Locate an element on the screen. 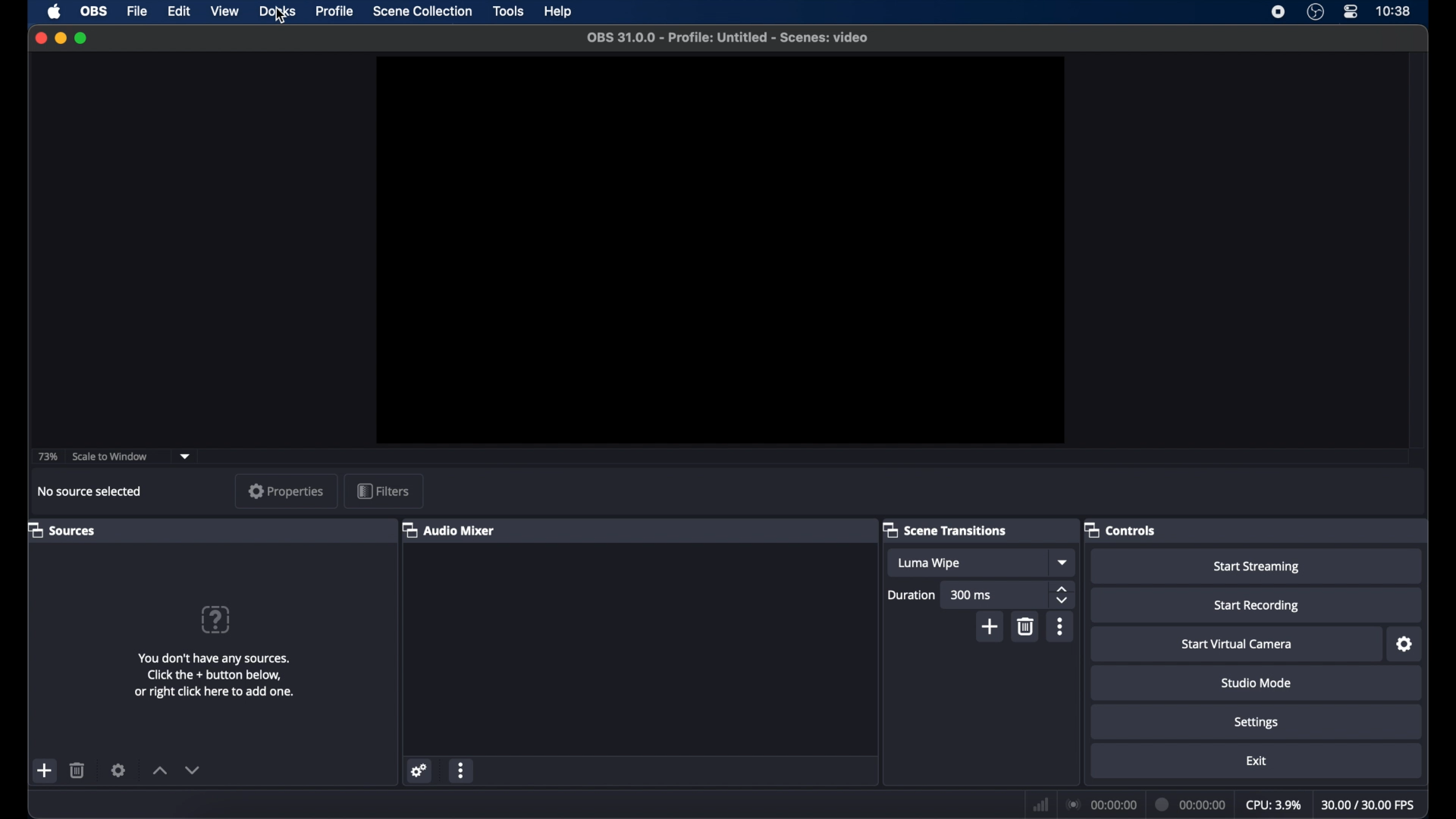 The height and width of the screenshot is (819, 1456). sources is located at coordinates (63, 529).